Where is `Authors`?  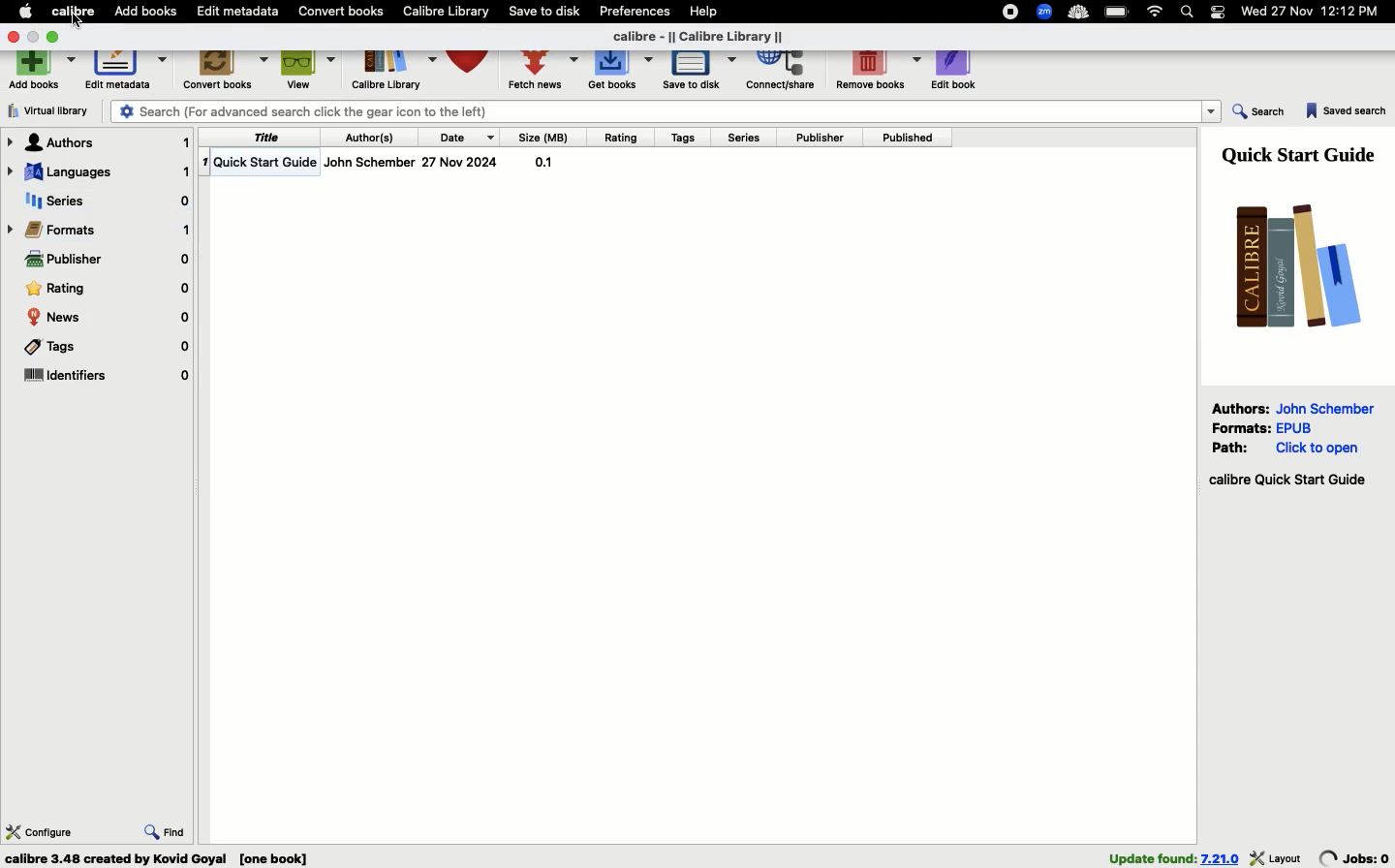
Authors is located at coordinates (99, 142).